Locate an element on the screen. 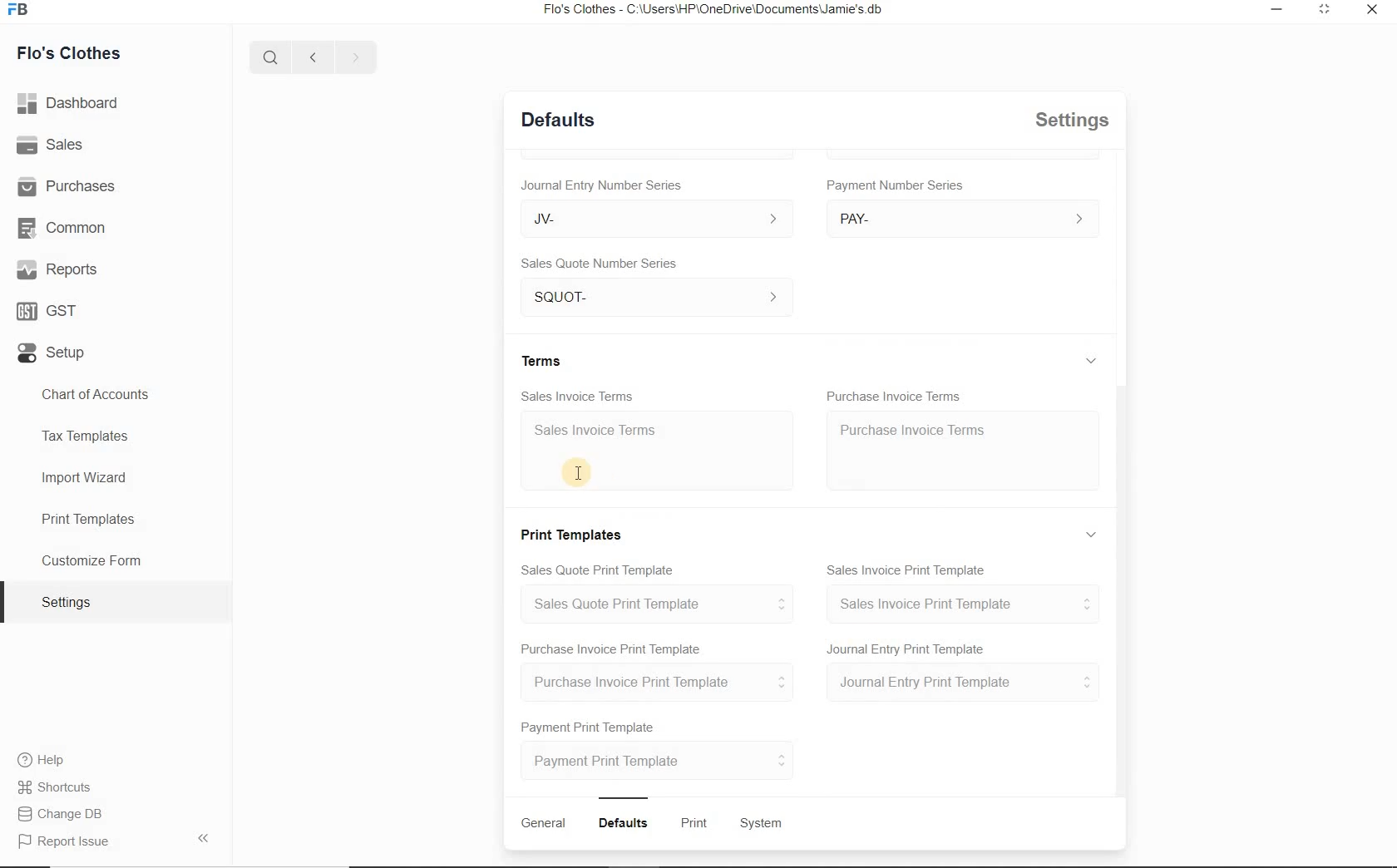 The image size is (1397, 868). Setup is located at coordinates (52, 353).